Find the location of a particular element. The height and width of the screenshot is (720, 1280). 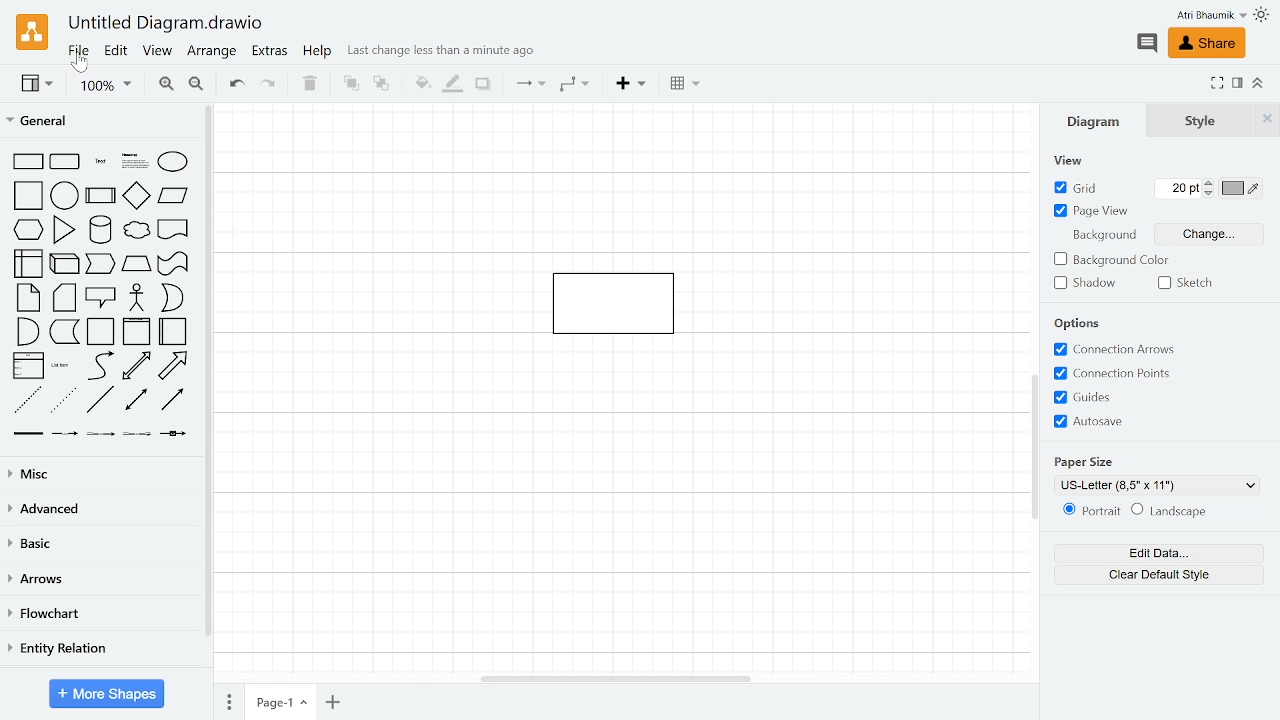

Insert is located at coordinates (630, 84).